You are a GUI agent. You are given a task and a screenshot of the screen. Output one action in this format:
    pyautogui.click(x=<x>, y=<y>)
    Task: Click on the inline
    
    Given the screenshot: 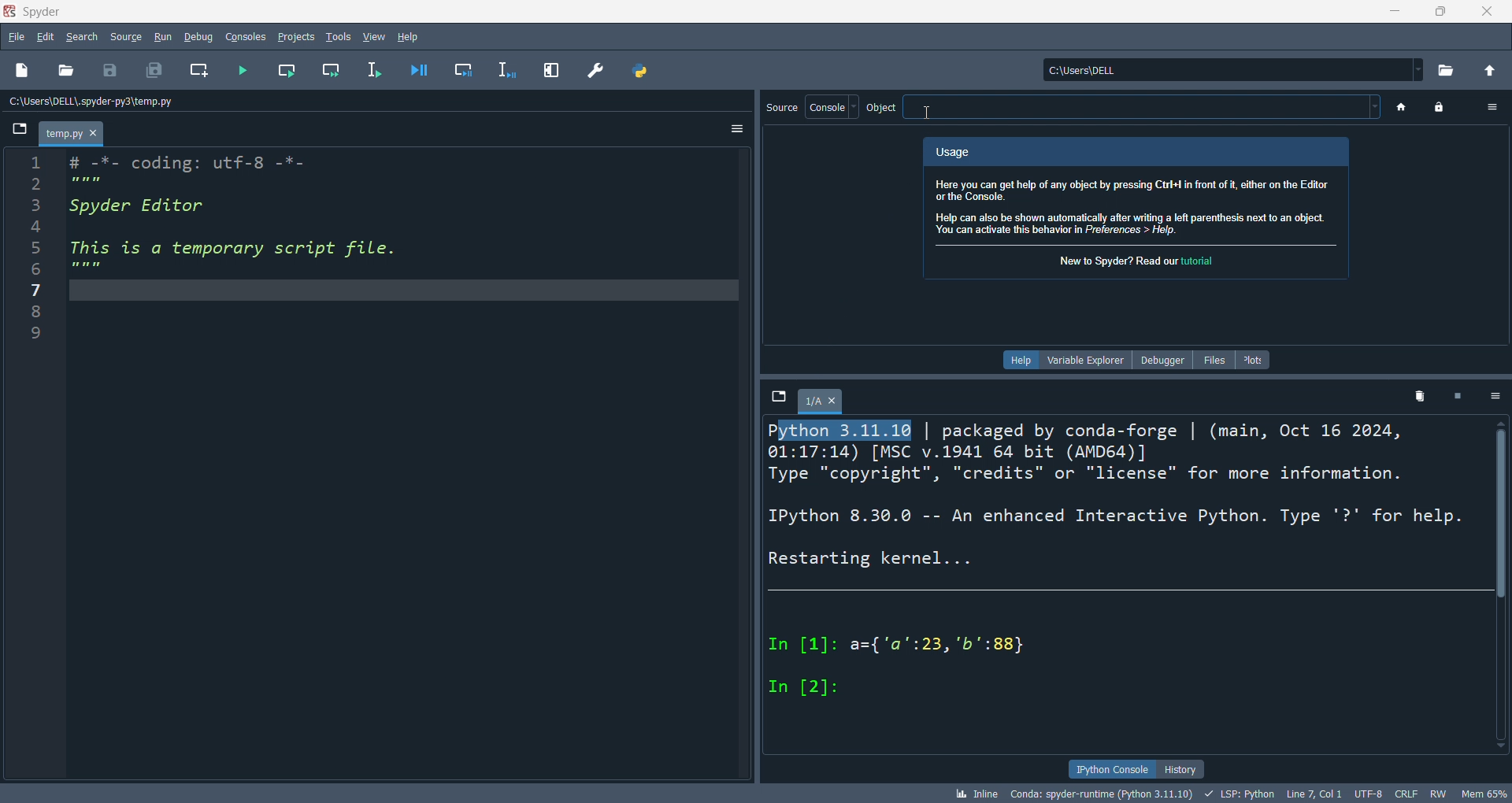 What is the action you would take?
    pyautogui.click(x=982, y=794)
    